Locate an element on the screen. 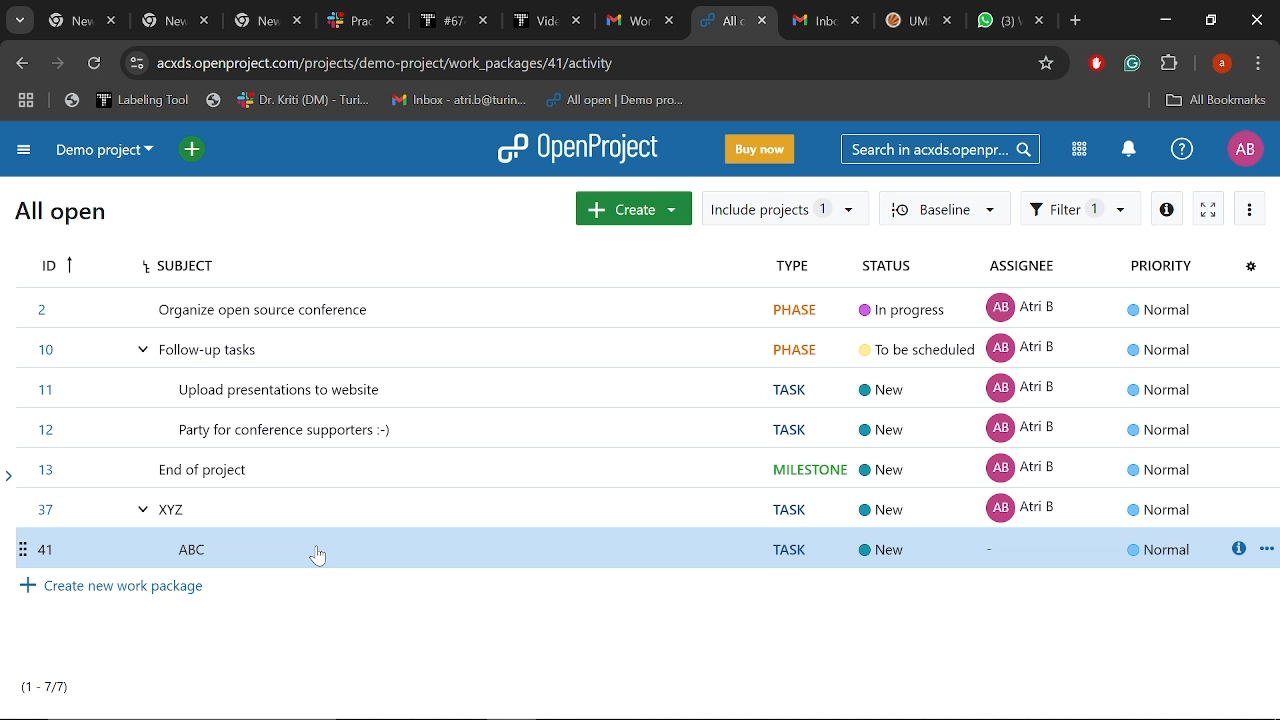 The width and height of the screenshot is (1280, 720). Bookmarked tabs is located at coordinates (388, 100).